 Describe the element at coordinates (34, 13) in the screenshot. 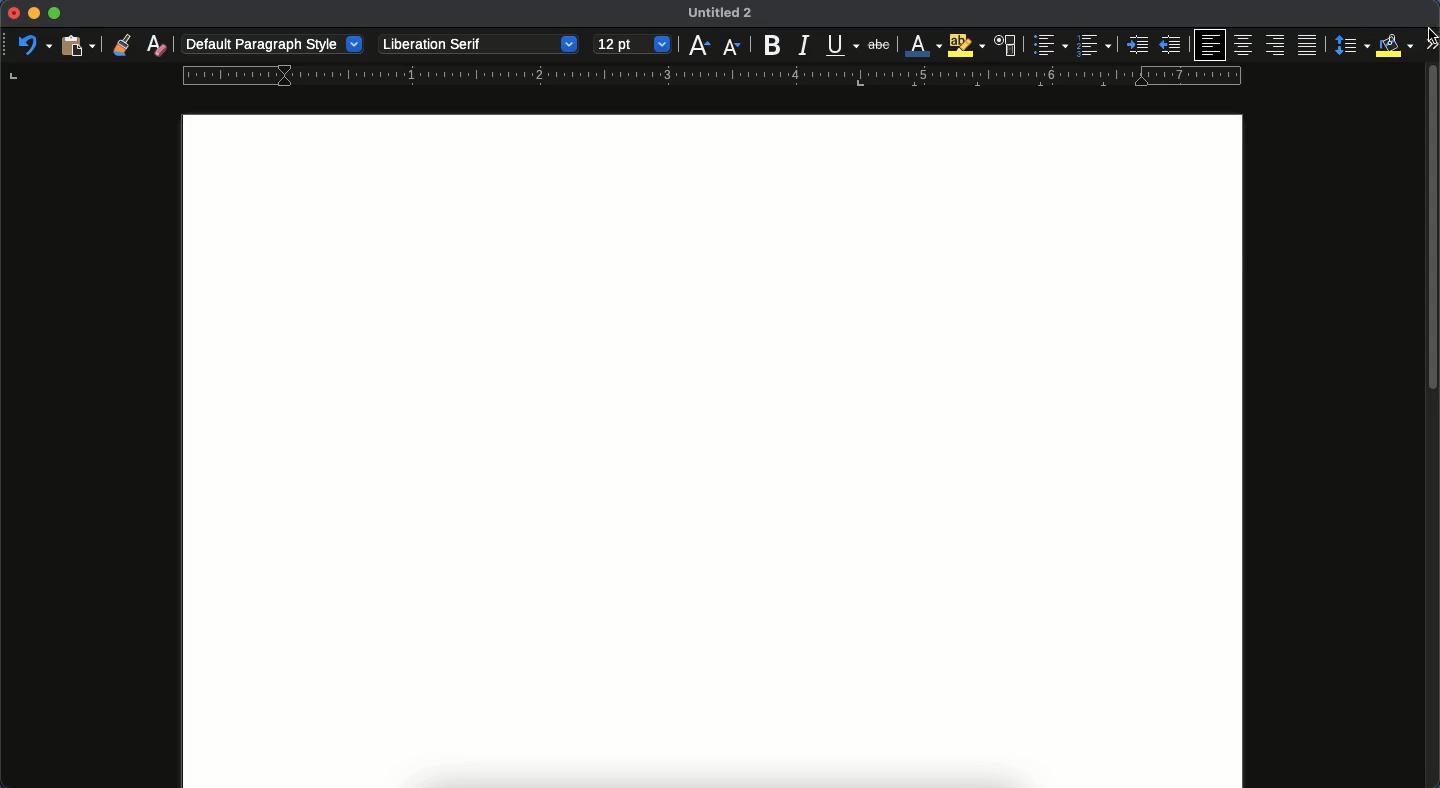

I see `minimize` at that location.